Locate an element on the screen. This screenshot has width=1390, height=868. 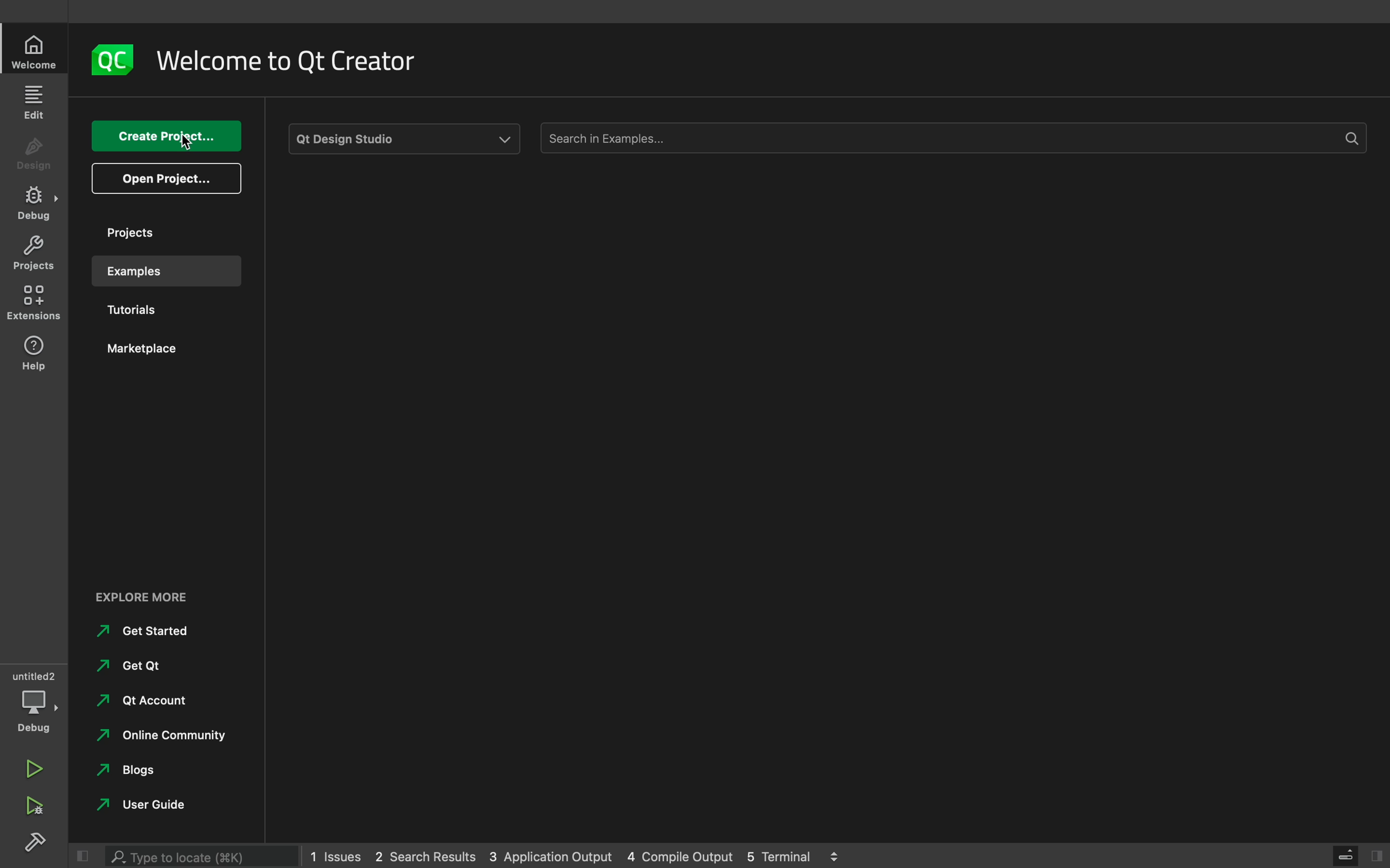
 is located at coordinates (38, 844).